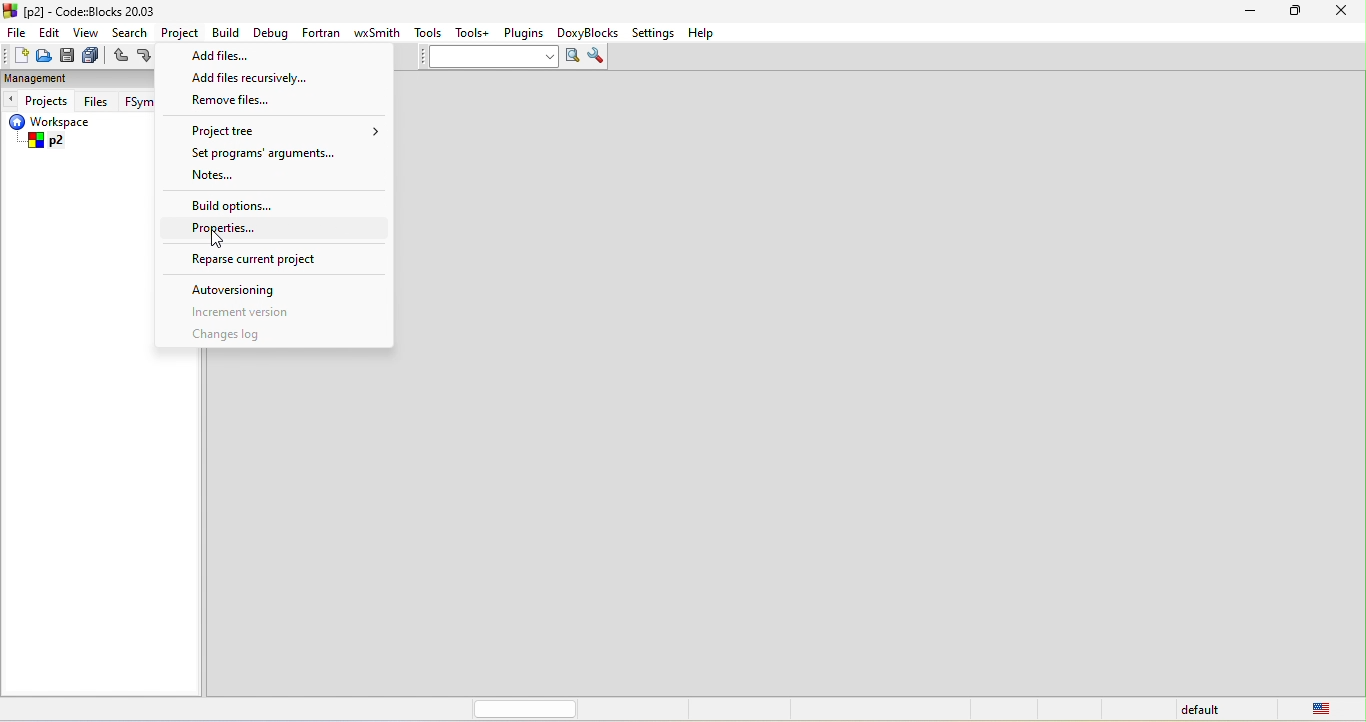 The height and width of the screenshot is (722, 1366). What do you see at coordinates (655, 32) in the screenshot?
I see `settings` at bounding box center [655, 32].